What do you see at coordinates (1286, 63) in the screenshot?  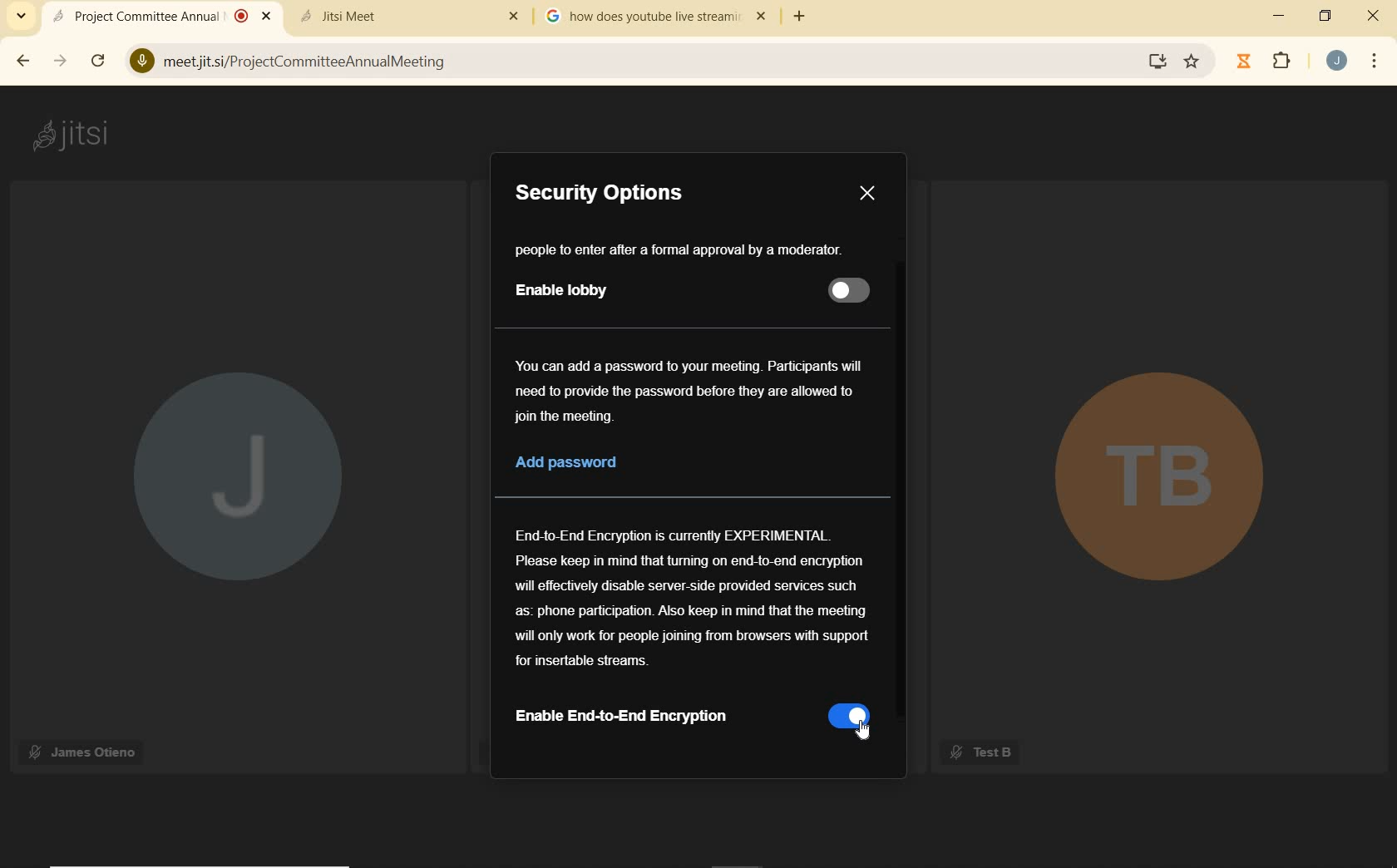 I see `EXTENSIONS` at bounding box center [1286, 63].